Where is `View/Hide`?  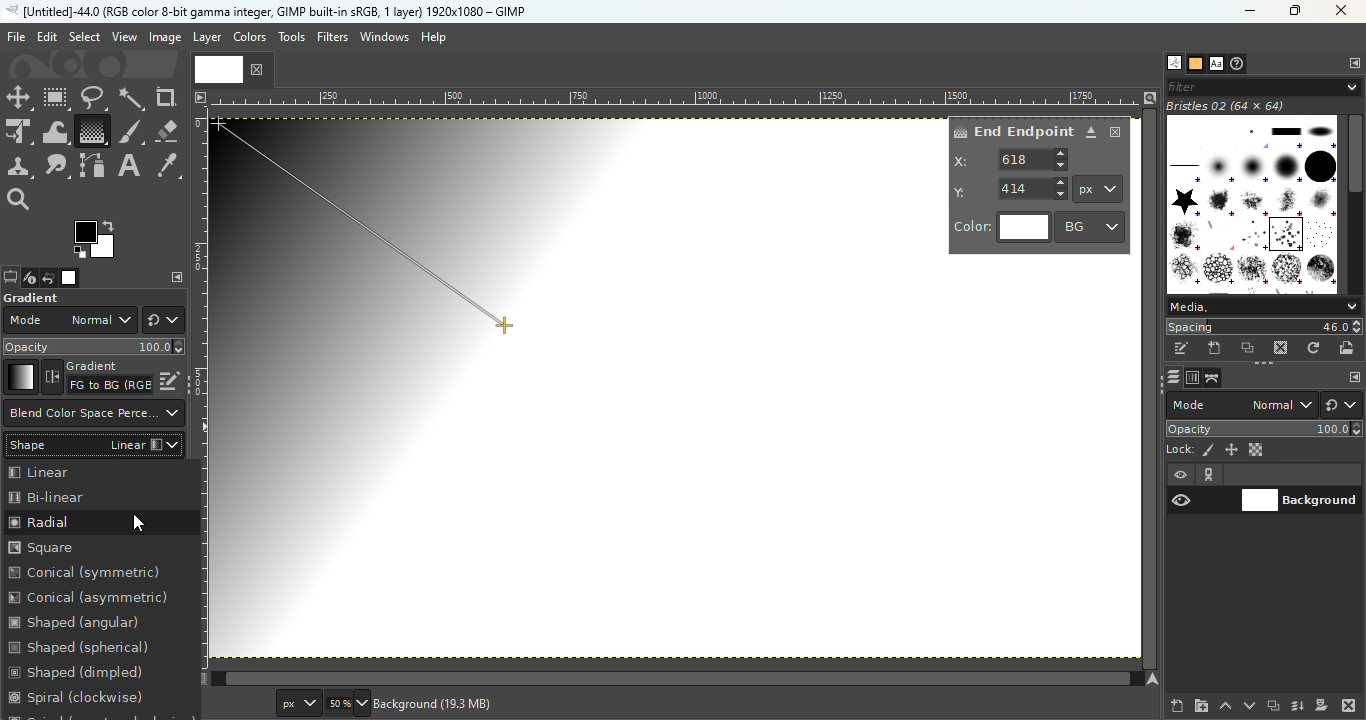 View/Hide is located at coordinates (1202, 488).